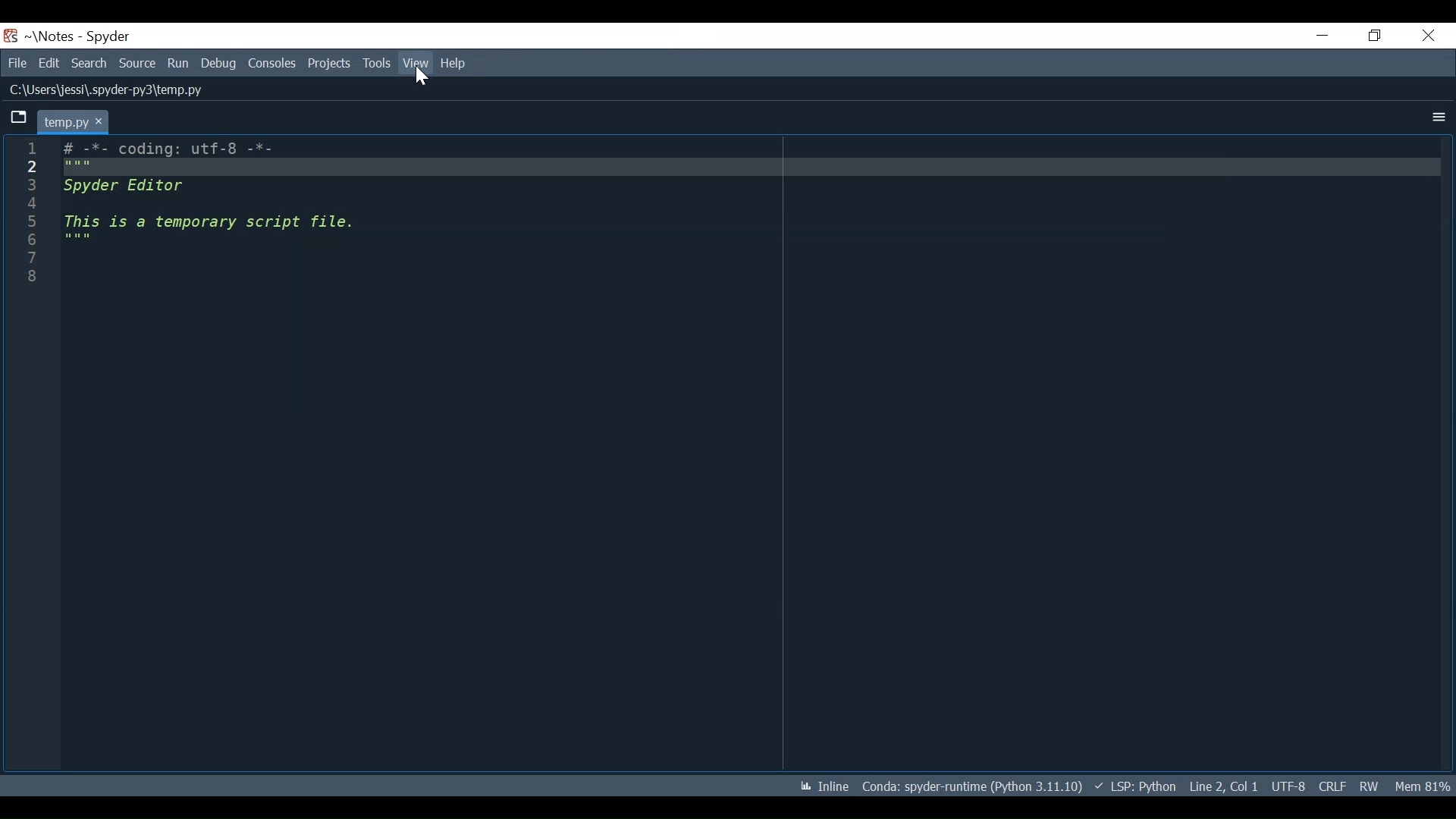 Image resolution: width=1456 pixels, height=819 pixels. Describe the element at coordinates (109, 37) in the screenshot. I see `Spyder ` at that location.